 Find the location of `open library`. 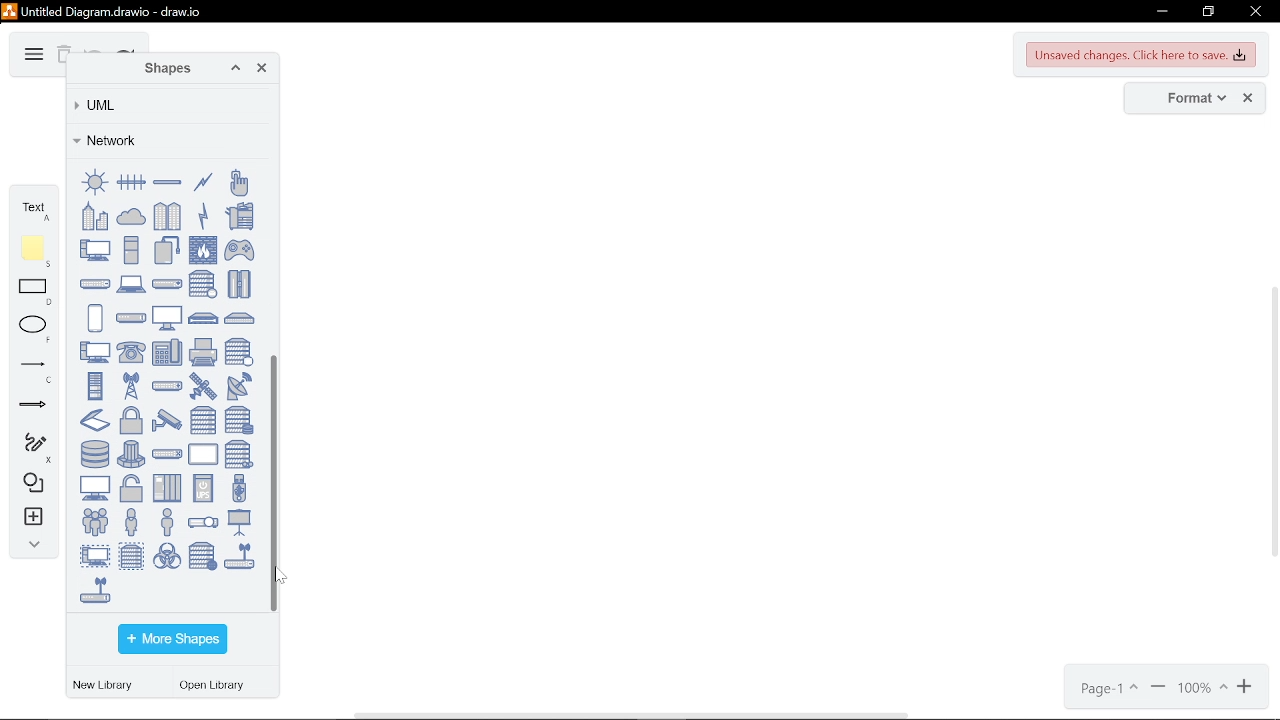

open library is located at coordinates (217, 687).